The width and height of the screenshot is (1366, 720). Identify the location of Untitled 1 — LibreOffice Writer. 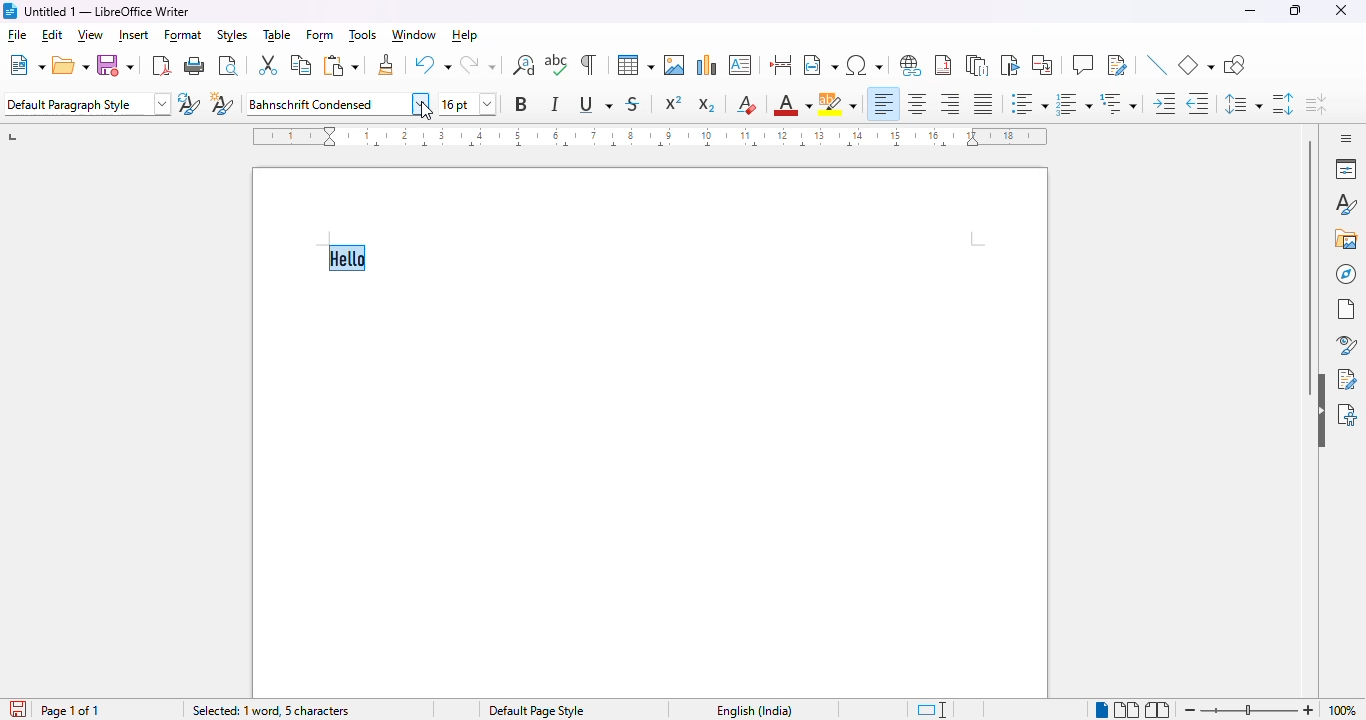
(109, 11).